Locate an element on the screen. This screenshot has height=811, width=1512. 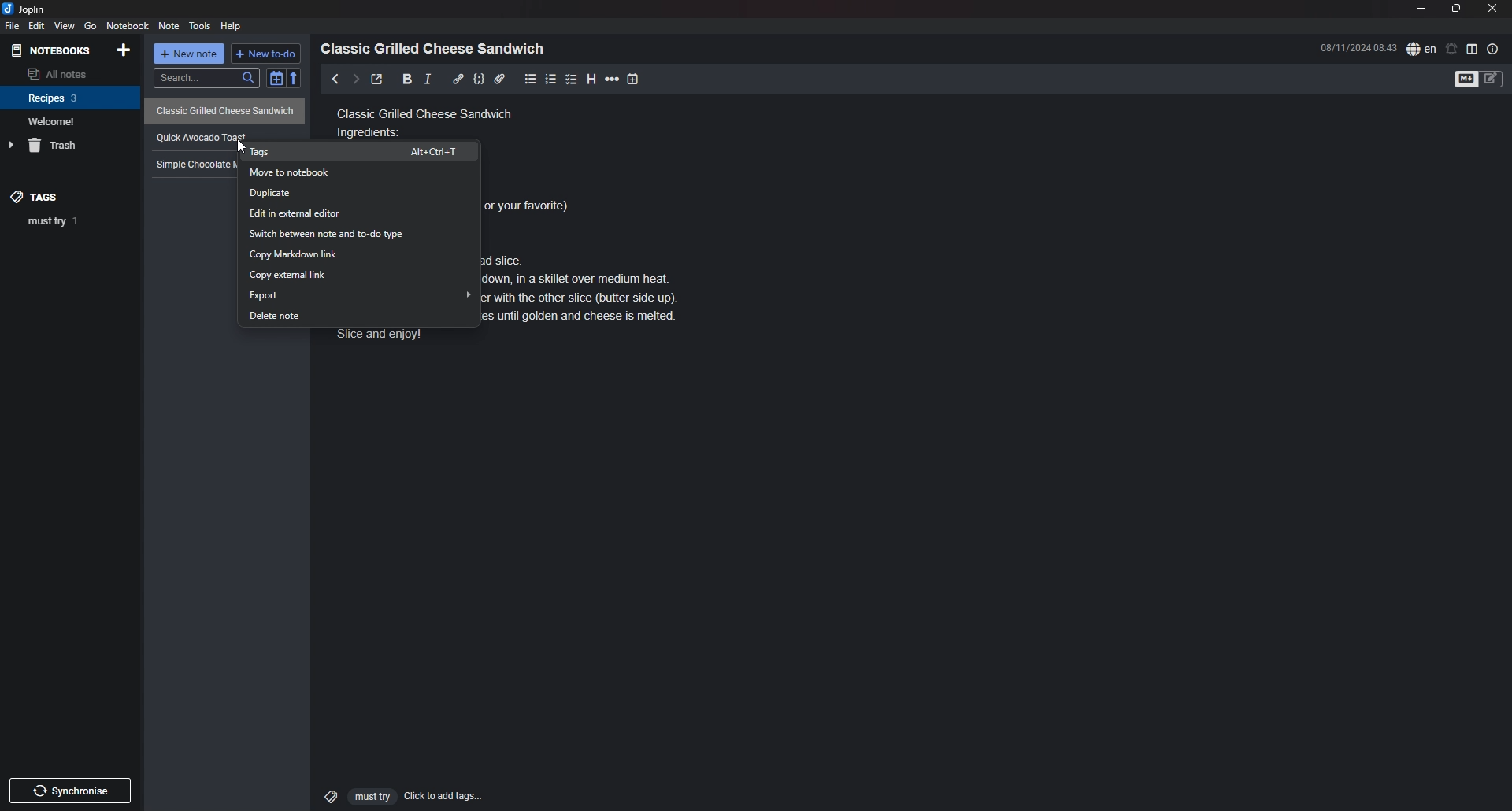
horizontal rule is located at coordinates (613, 79).